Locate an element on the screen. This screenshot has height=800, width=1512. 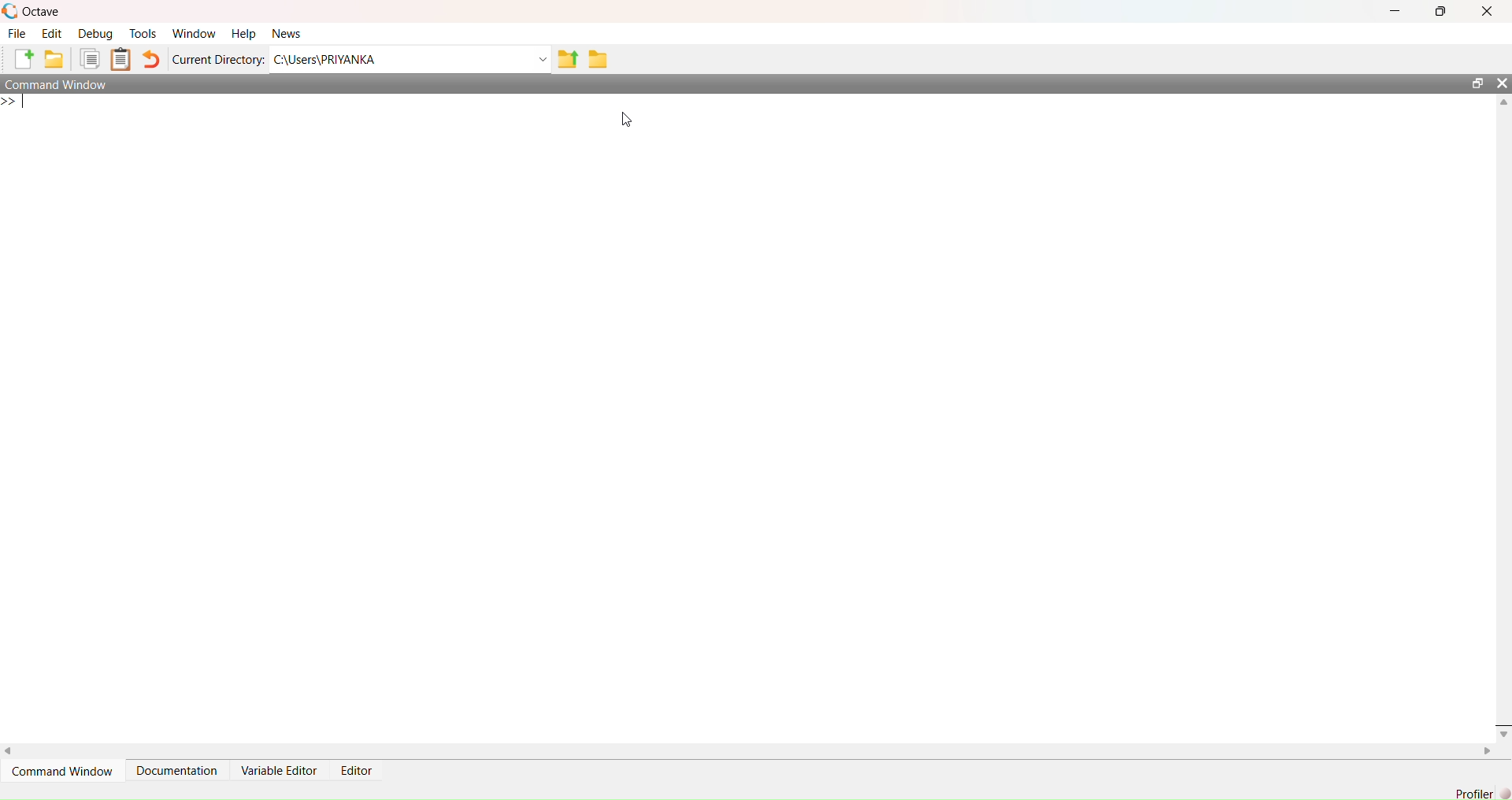
Edit is located at coordinates (53, 35).